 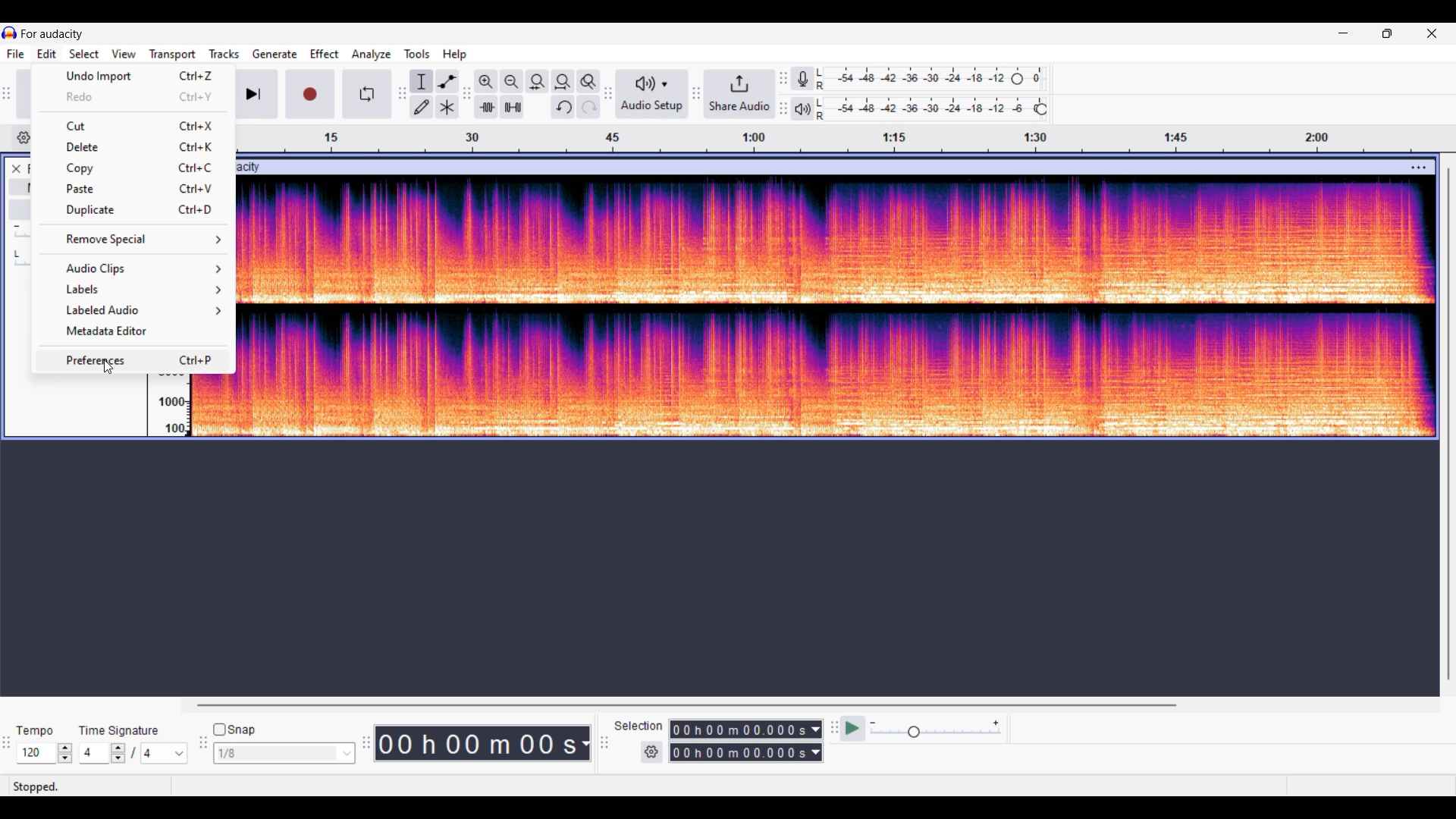 I want to click on Zoom out, so click(x=513, y=82).